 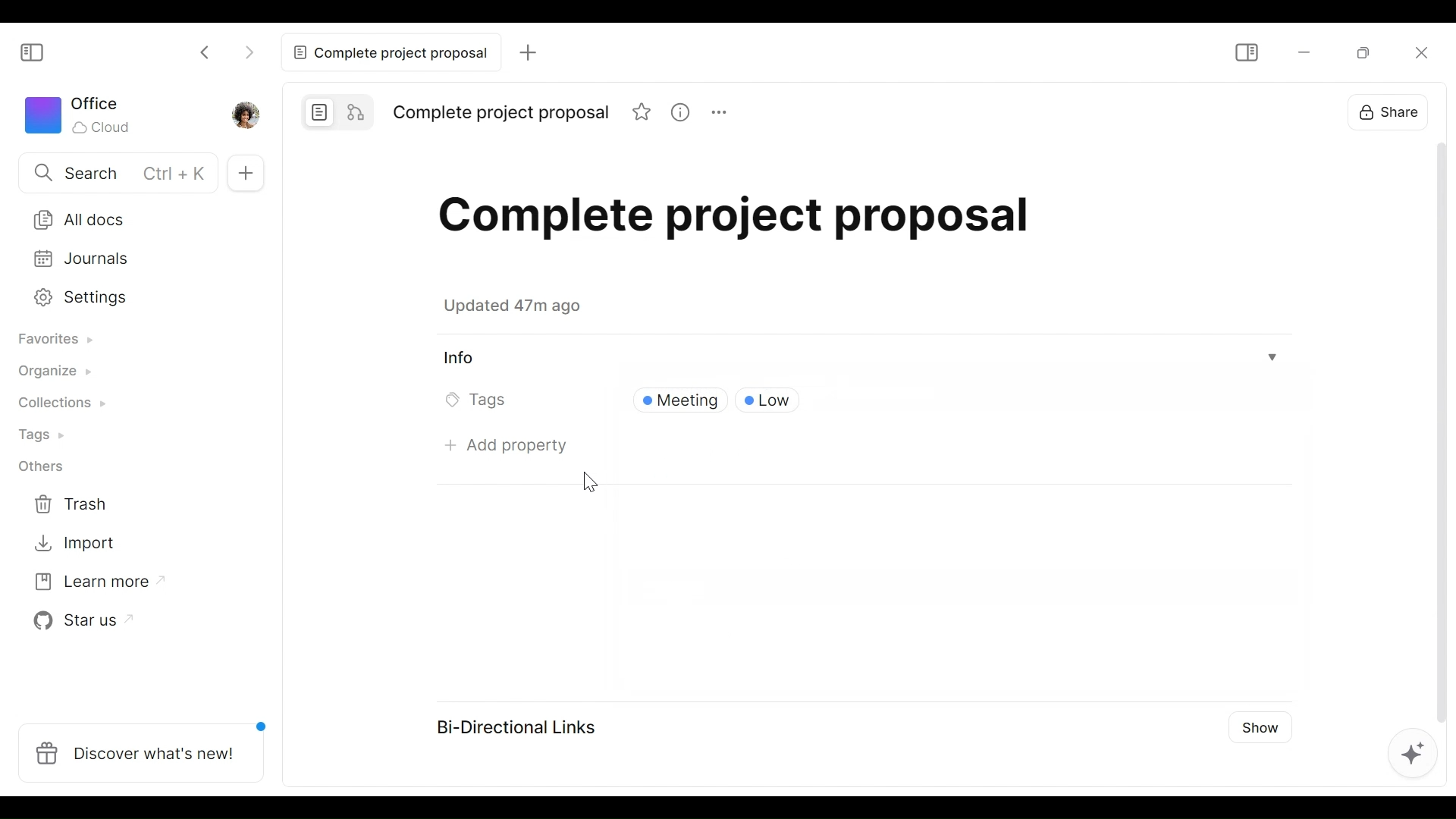 What do you see at coordinates (61, 339) in the screenshot?
I see `Favorites` at bounding box center [61, 339].